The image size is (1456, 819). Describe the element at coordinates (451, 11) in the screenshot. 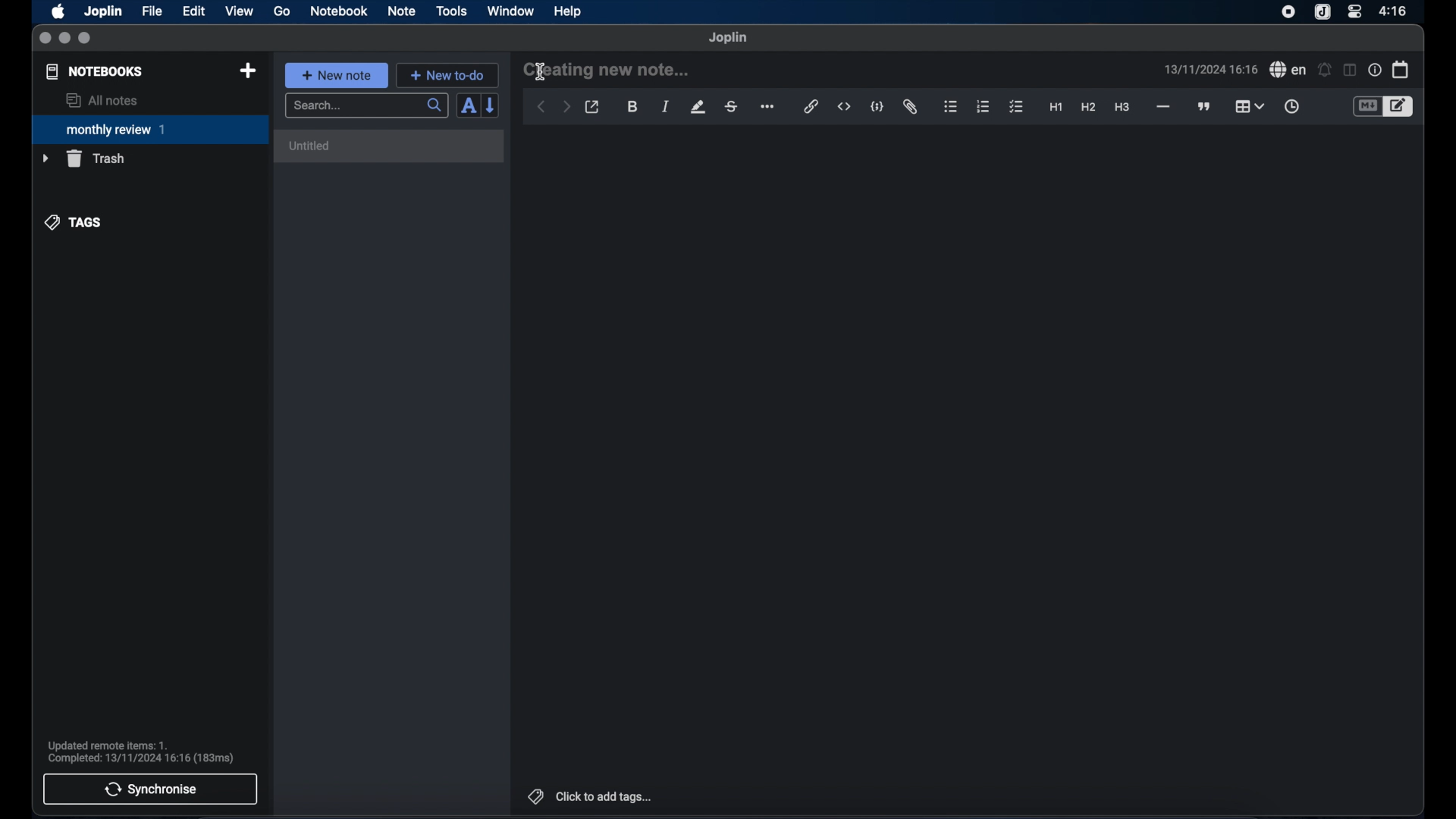

I see `tools` at that location.